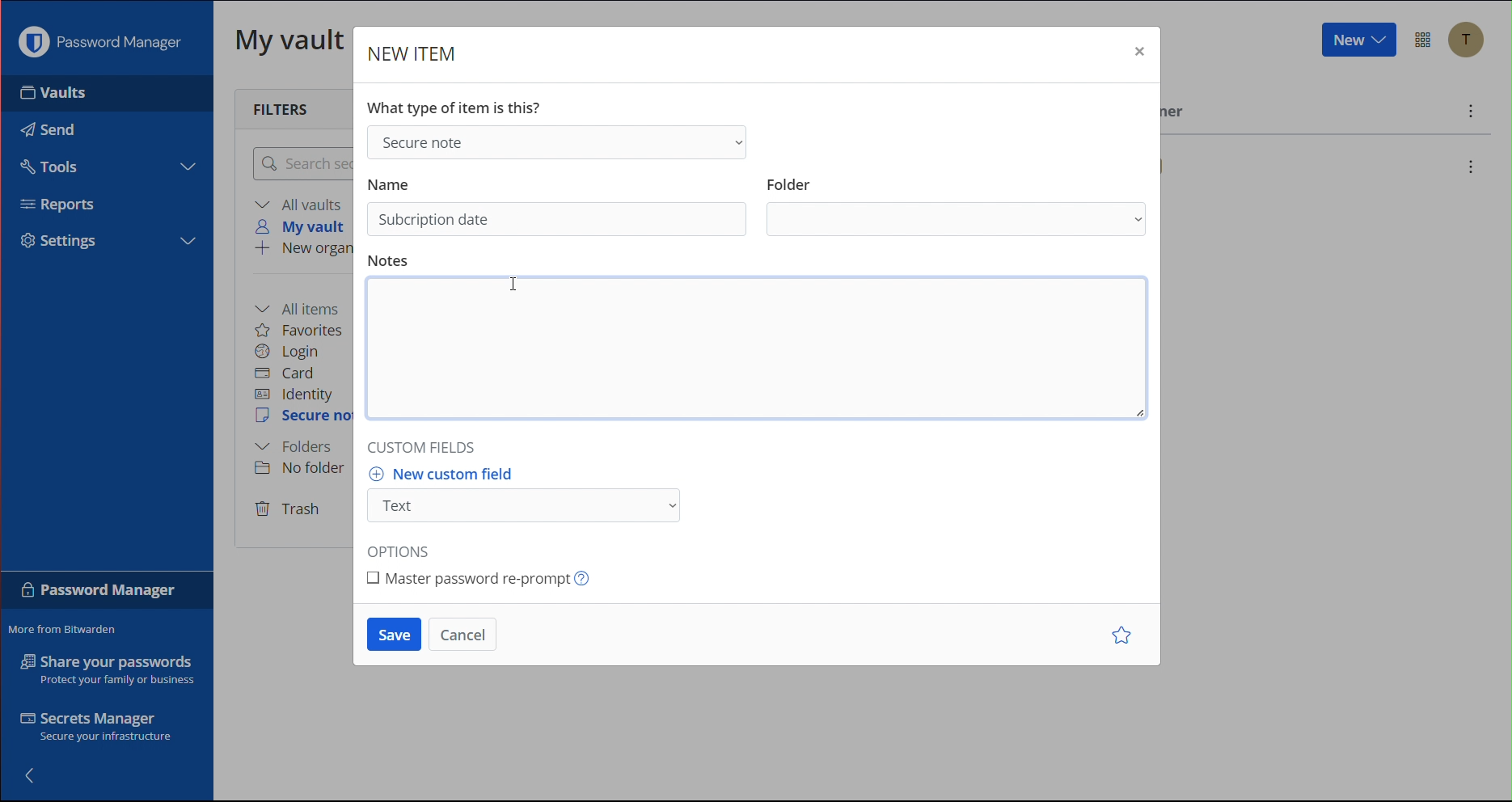  Describe the element at coordinates (285, 374) in the screenshot. I see `Card` at that location.